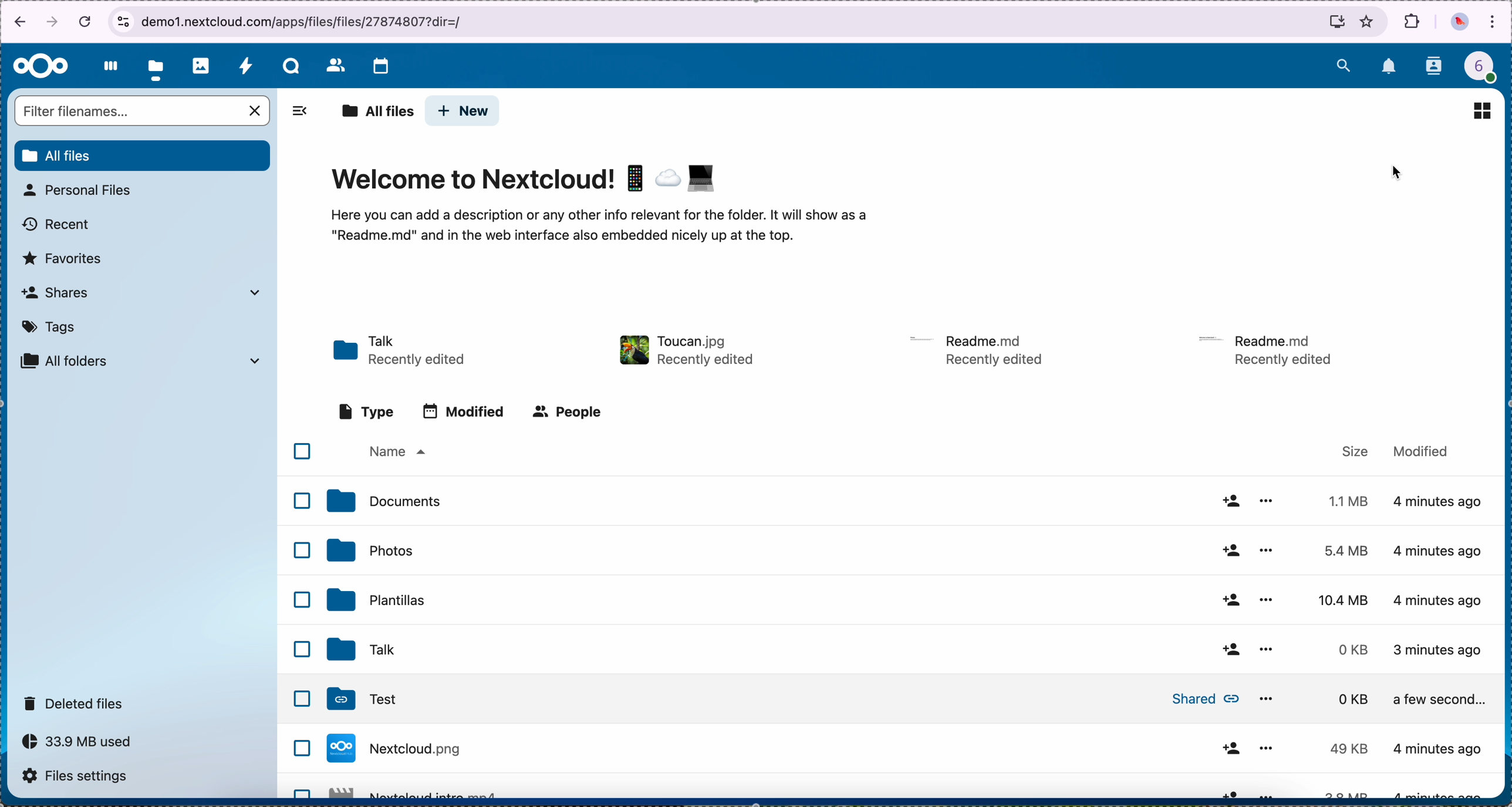 The image size is (1512, 807). I want to click on customize and control Google Chrome, so click(1493, 23).